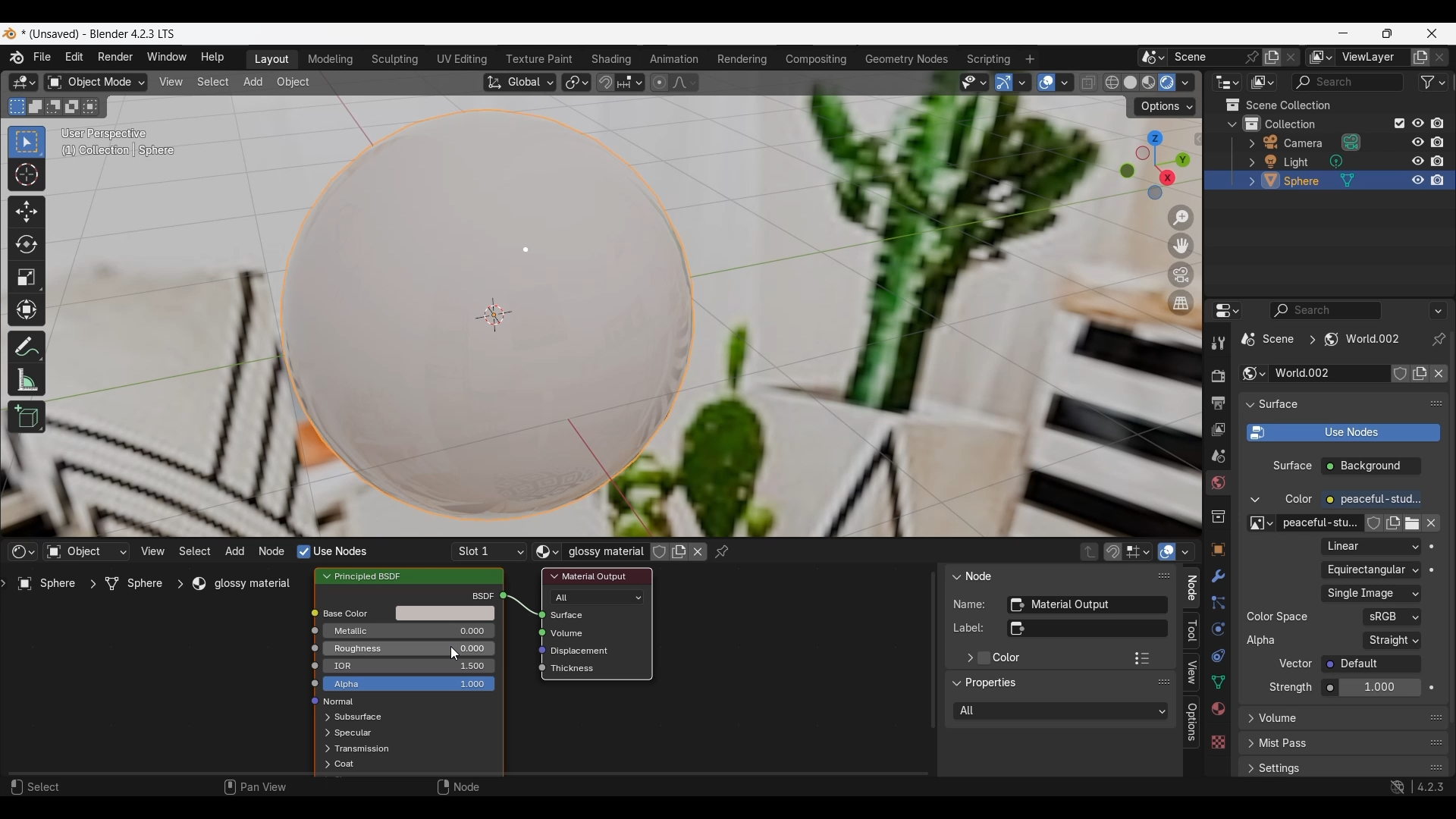  Describe the element at coordinates (1304, 123) in the screenshot. I see `collection` at that location.